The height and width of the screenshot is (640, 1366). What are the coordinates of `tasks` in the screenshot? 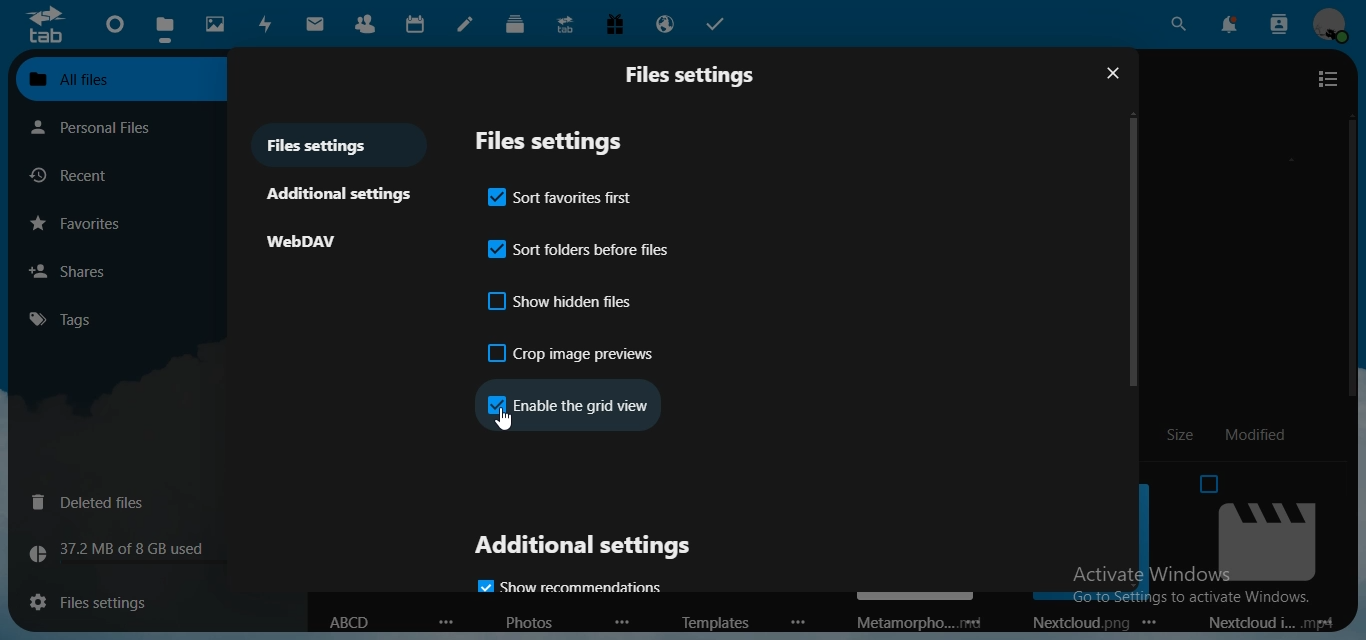 It's located at (721, 24).